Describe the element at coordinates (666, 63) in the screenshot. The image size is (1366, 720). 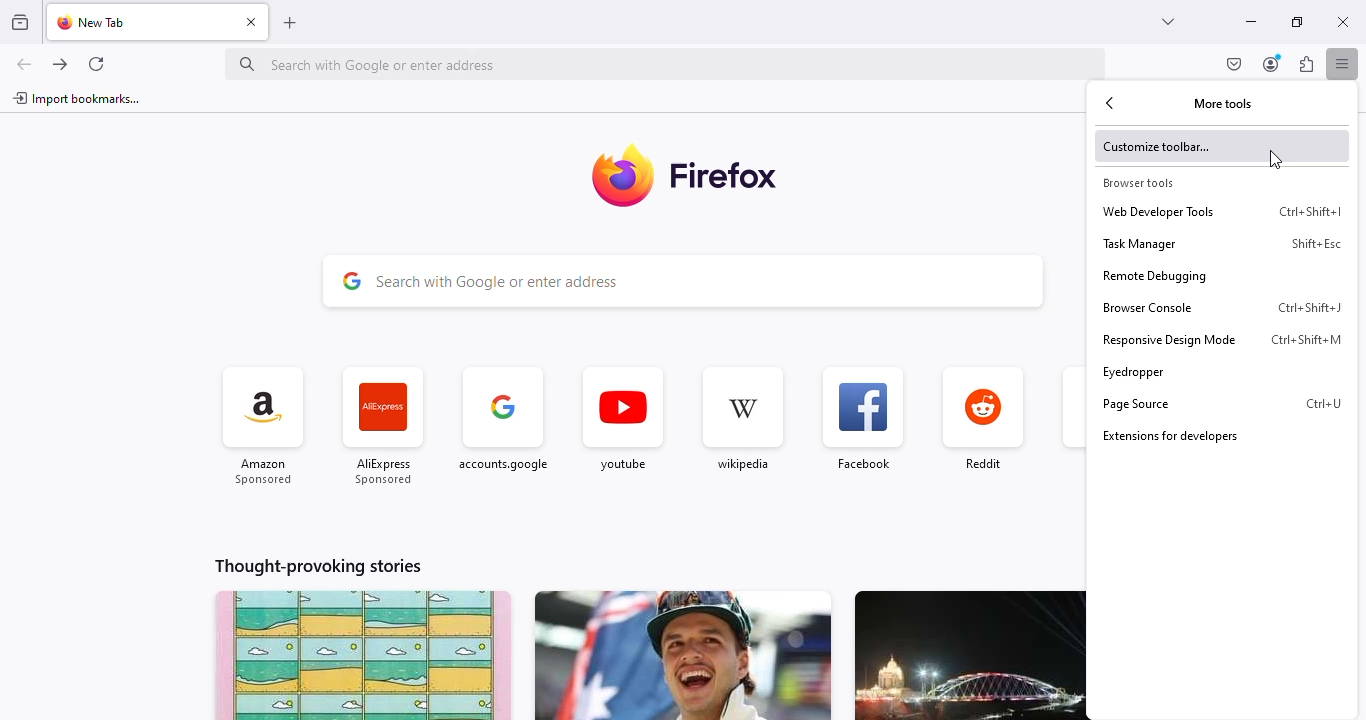
I see `search` at that location.